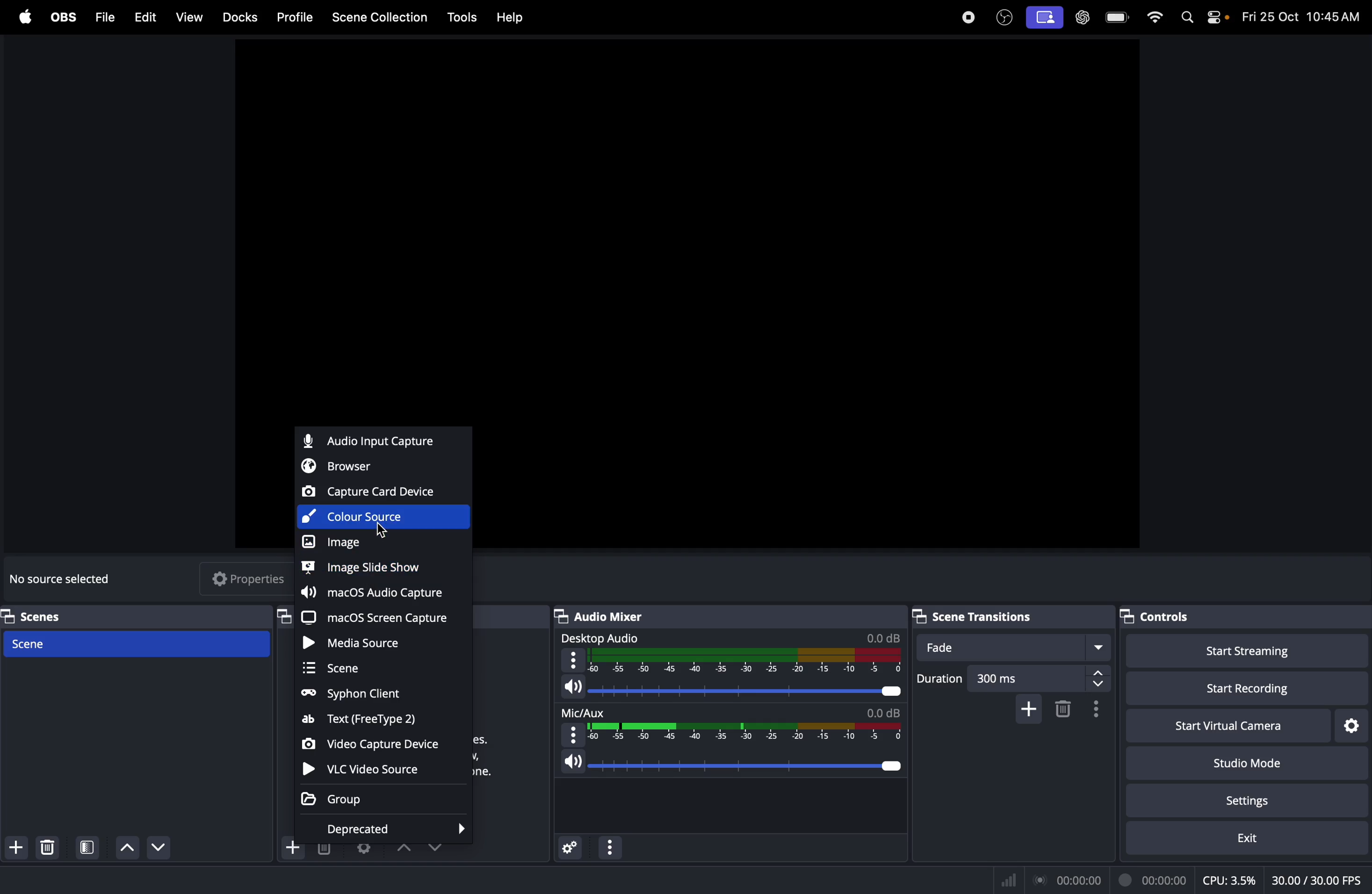  I want to click on move scene down, so click(126, 847).